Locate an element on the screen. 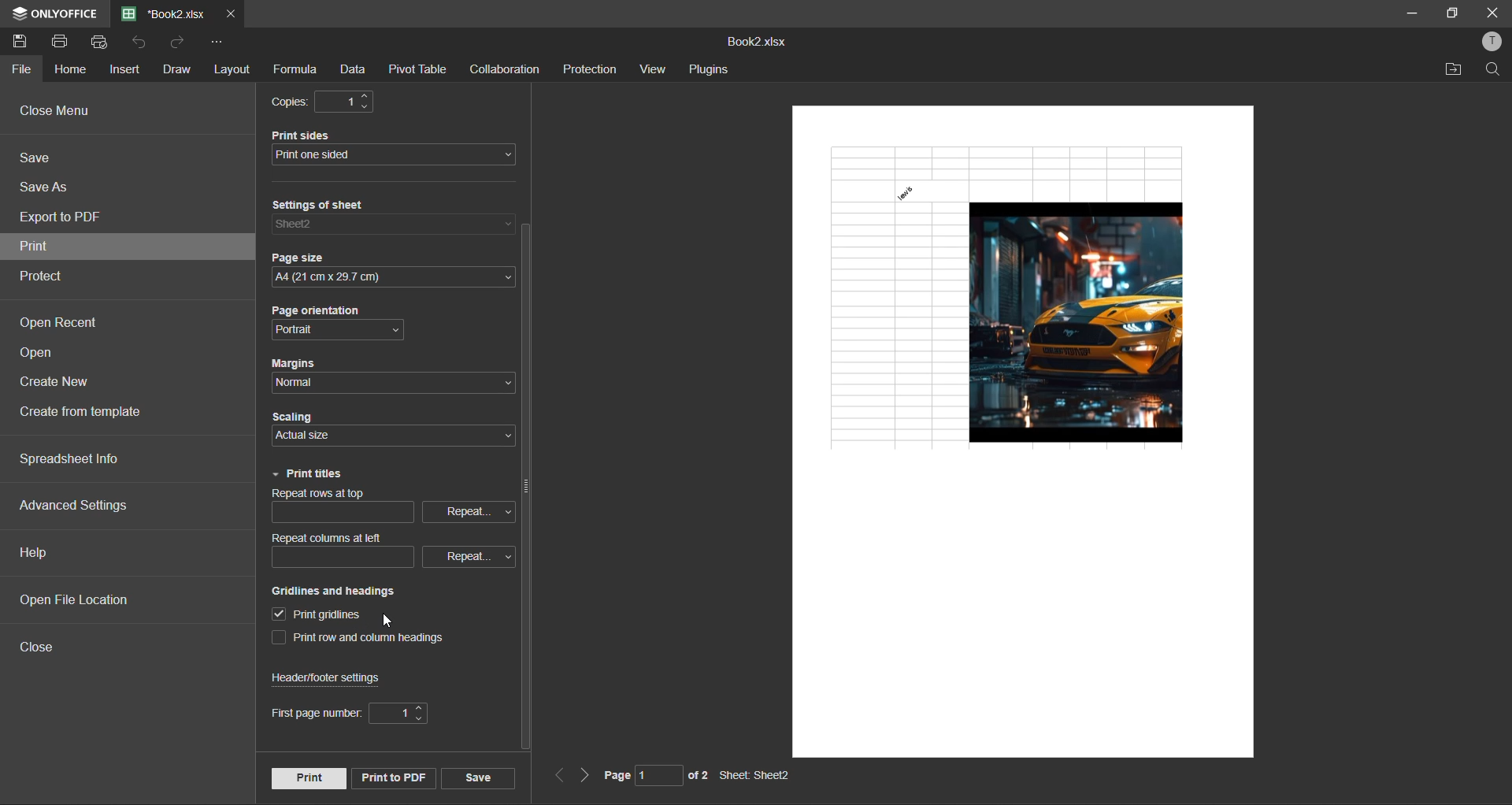 This screenshot has height=805, width=1512. print gridlines enabled is located at coordinates (277, 614).